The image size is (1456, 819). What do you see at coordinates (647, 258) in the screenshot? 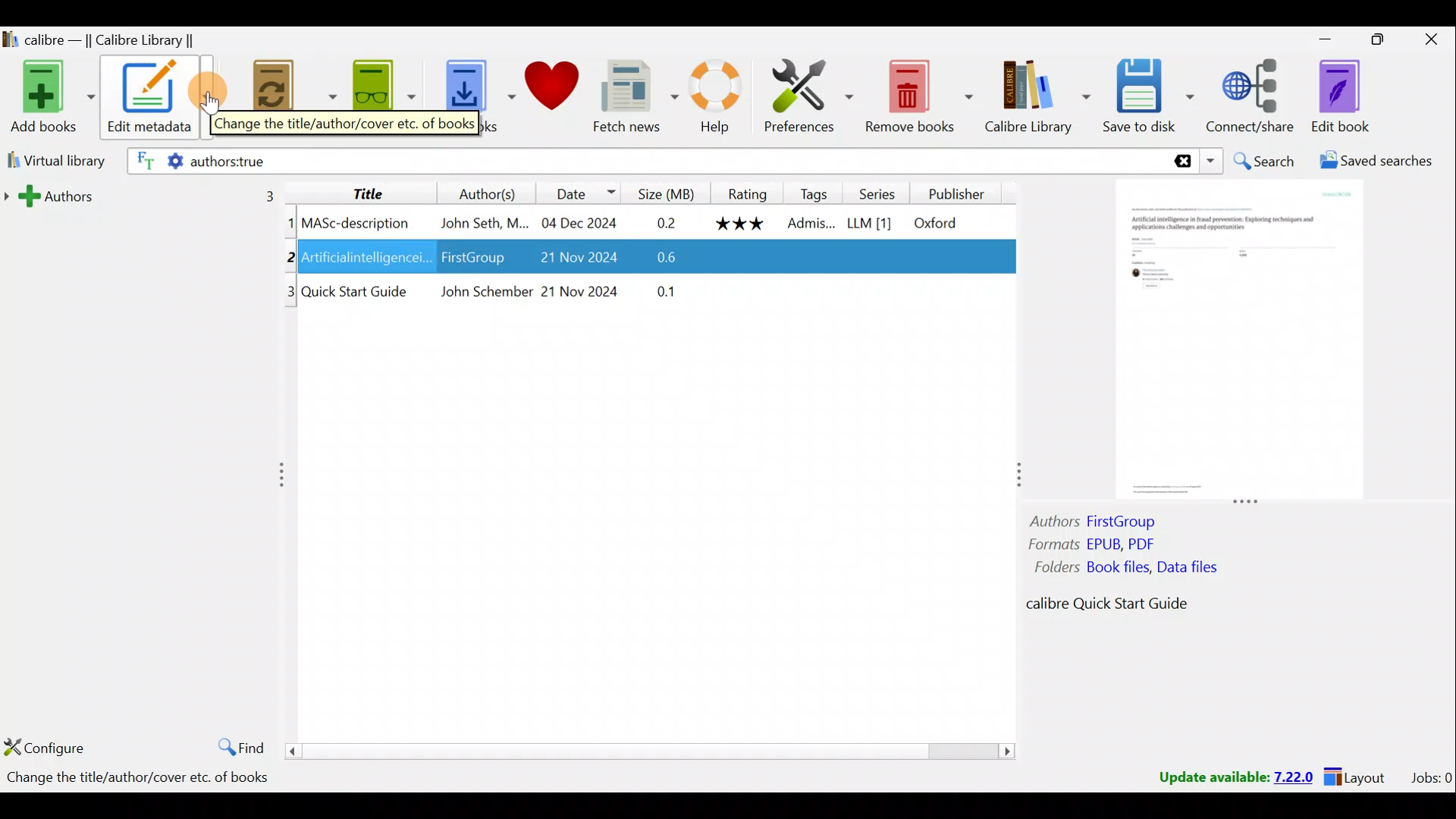
I see `Book 2` at bounding box center [647, 258].